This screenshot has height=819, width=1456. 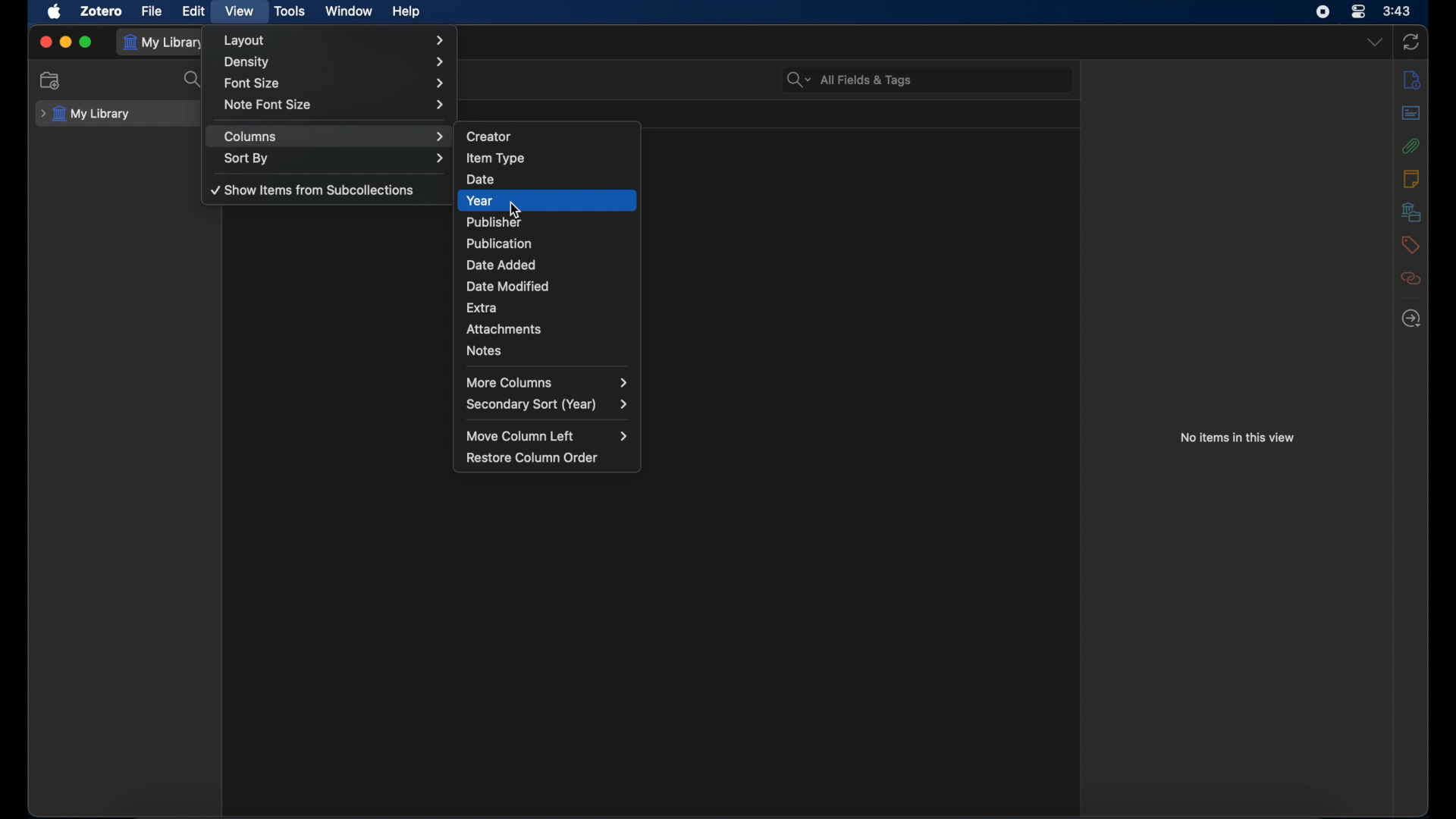 What do you see at coordinates (548, 221) in the screenshot?
I see `publisher` at bounding box center [548, 221].